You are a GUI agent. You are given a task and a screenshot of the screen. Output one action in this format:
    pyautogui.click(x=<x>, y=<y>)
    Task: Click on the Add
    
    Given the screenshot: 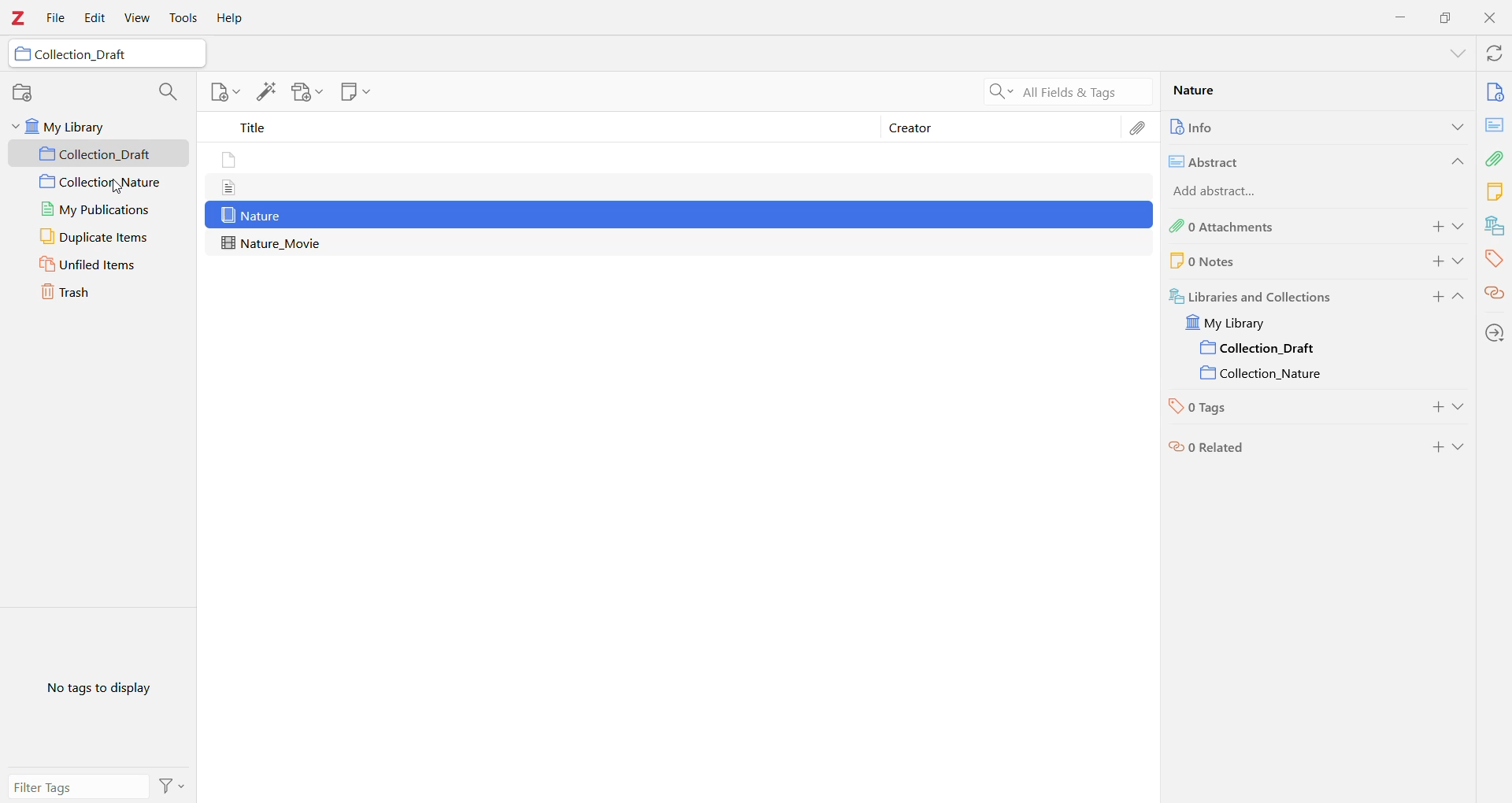 What is the action you would take?
    pyautogui.click(x=1433, y=261)
    